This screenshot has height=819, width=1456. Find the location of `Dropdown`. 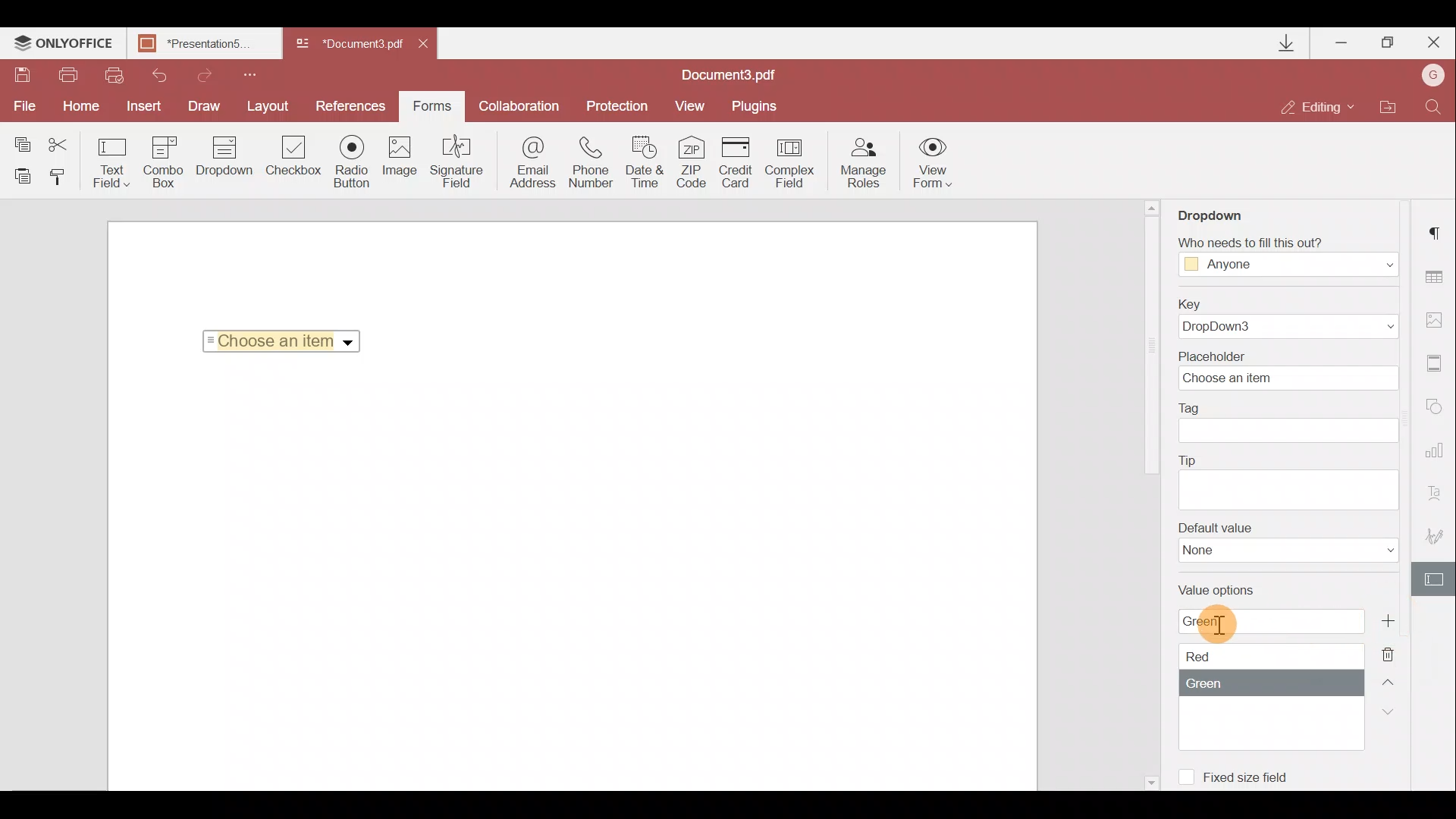

Dropdown is located at coordinates (350, 343).